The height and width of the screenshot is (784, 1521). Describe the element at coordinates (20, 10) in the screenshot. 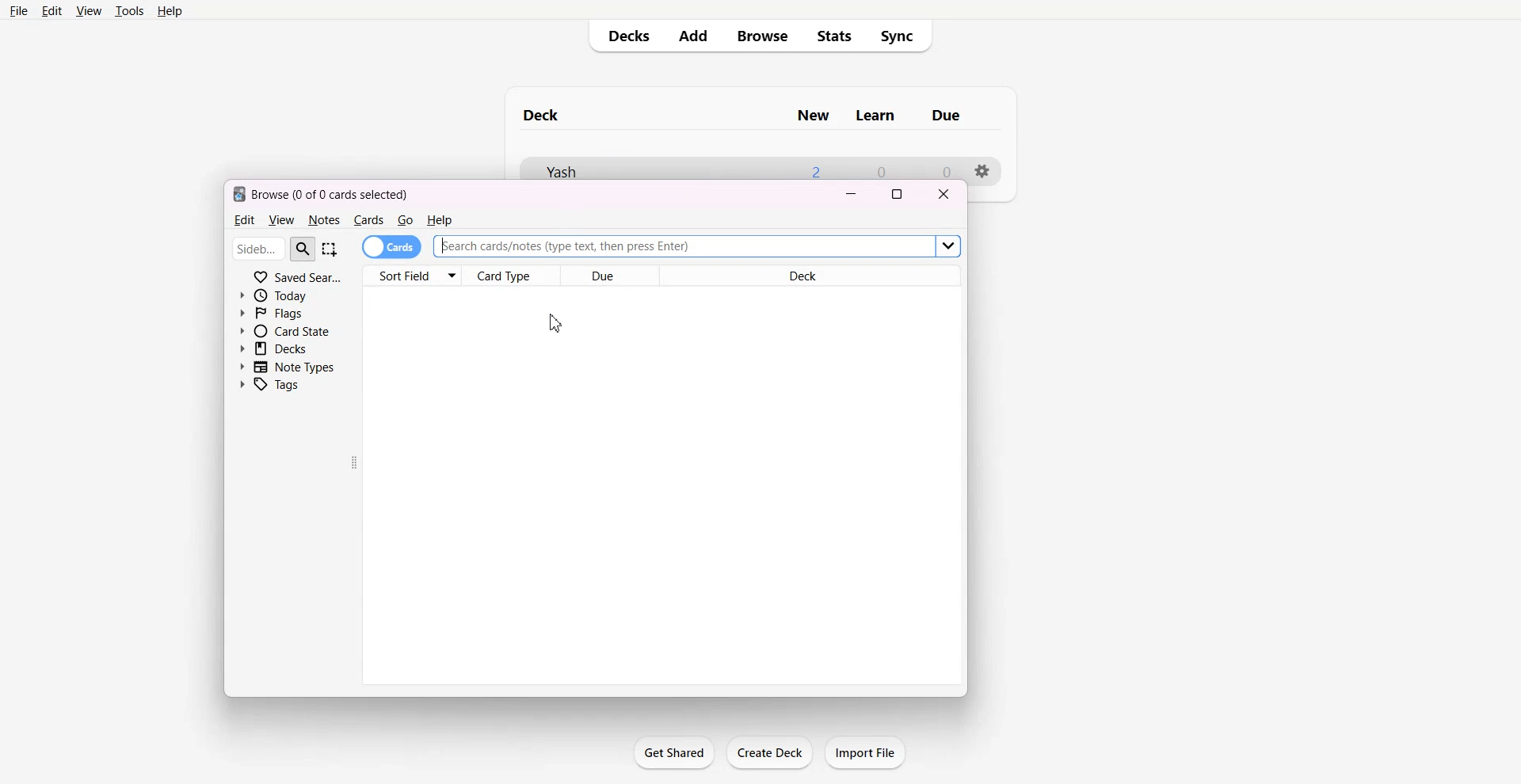

I see `File` at that location.